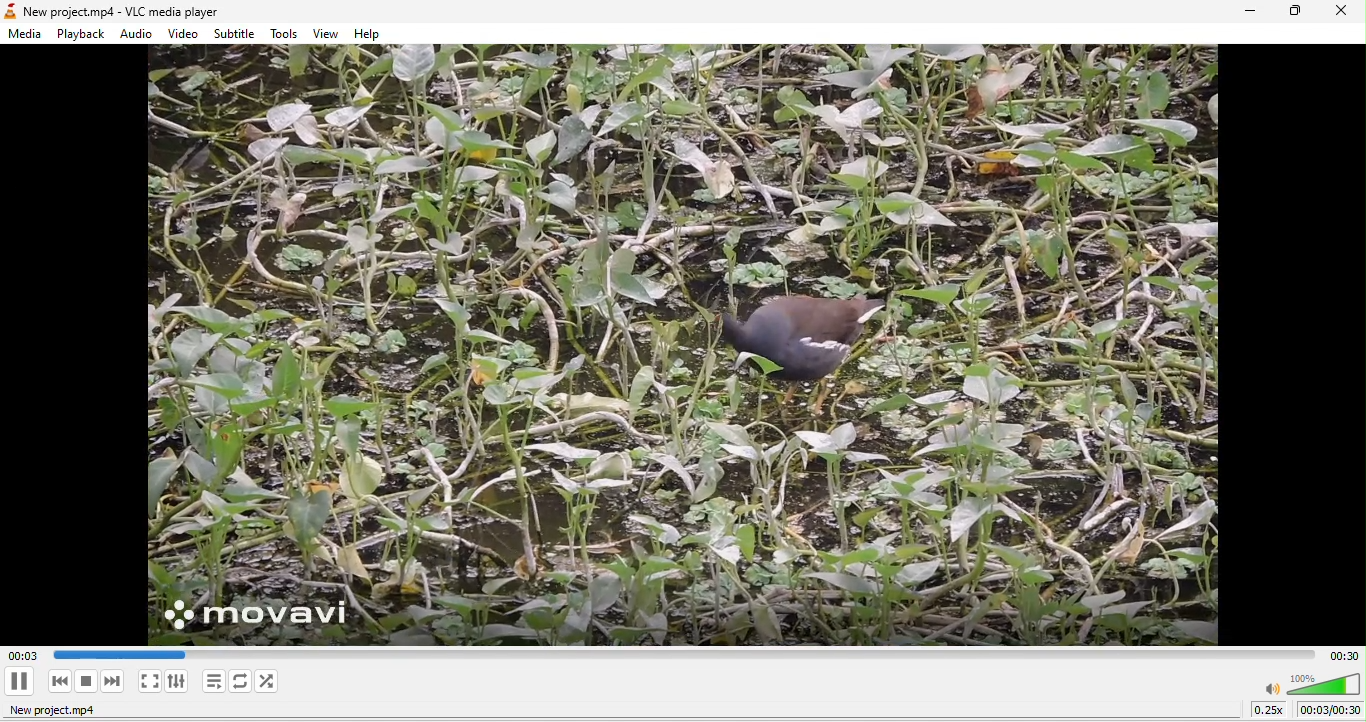 This screenshot has width=1366, height=722. What do you see at coordinates (271, 681) in the screenshot?
I see `random` at bounding box center [271, 681].